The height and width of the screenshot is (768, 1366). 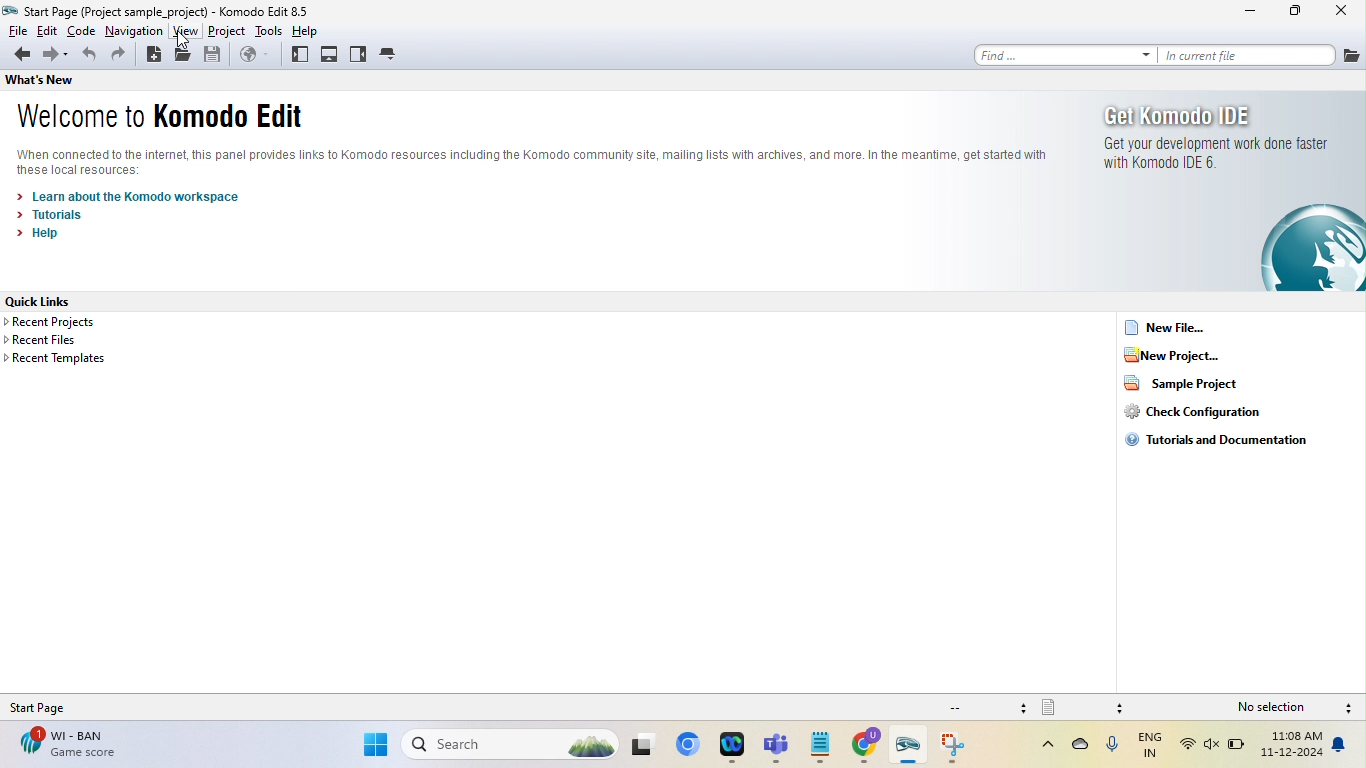 What do you see at coordinates (1296, 12) in the screenshot?
I see `maximize` at bounding box center [1296, 12].